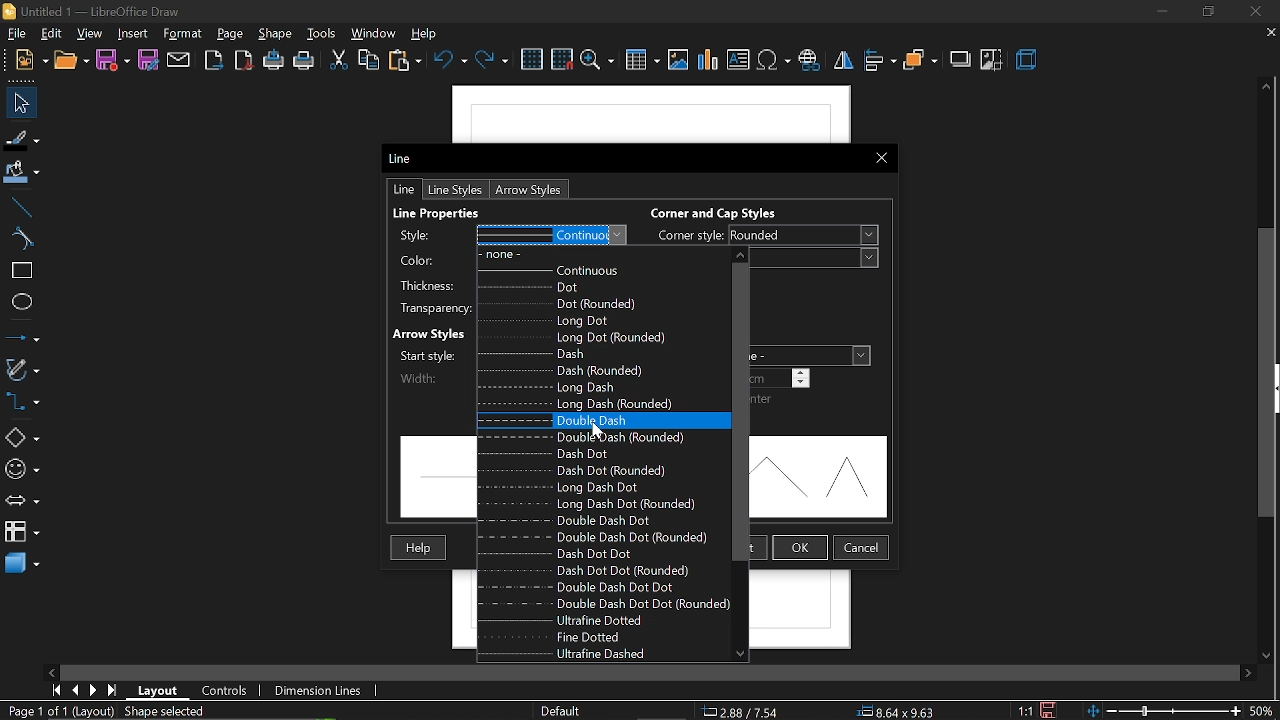 The height and width of the screenshot is (720, 1280). Describe the element at coordinates (114, 691) in the screenshot. I see `go to last page` at that location.